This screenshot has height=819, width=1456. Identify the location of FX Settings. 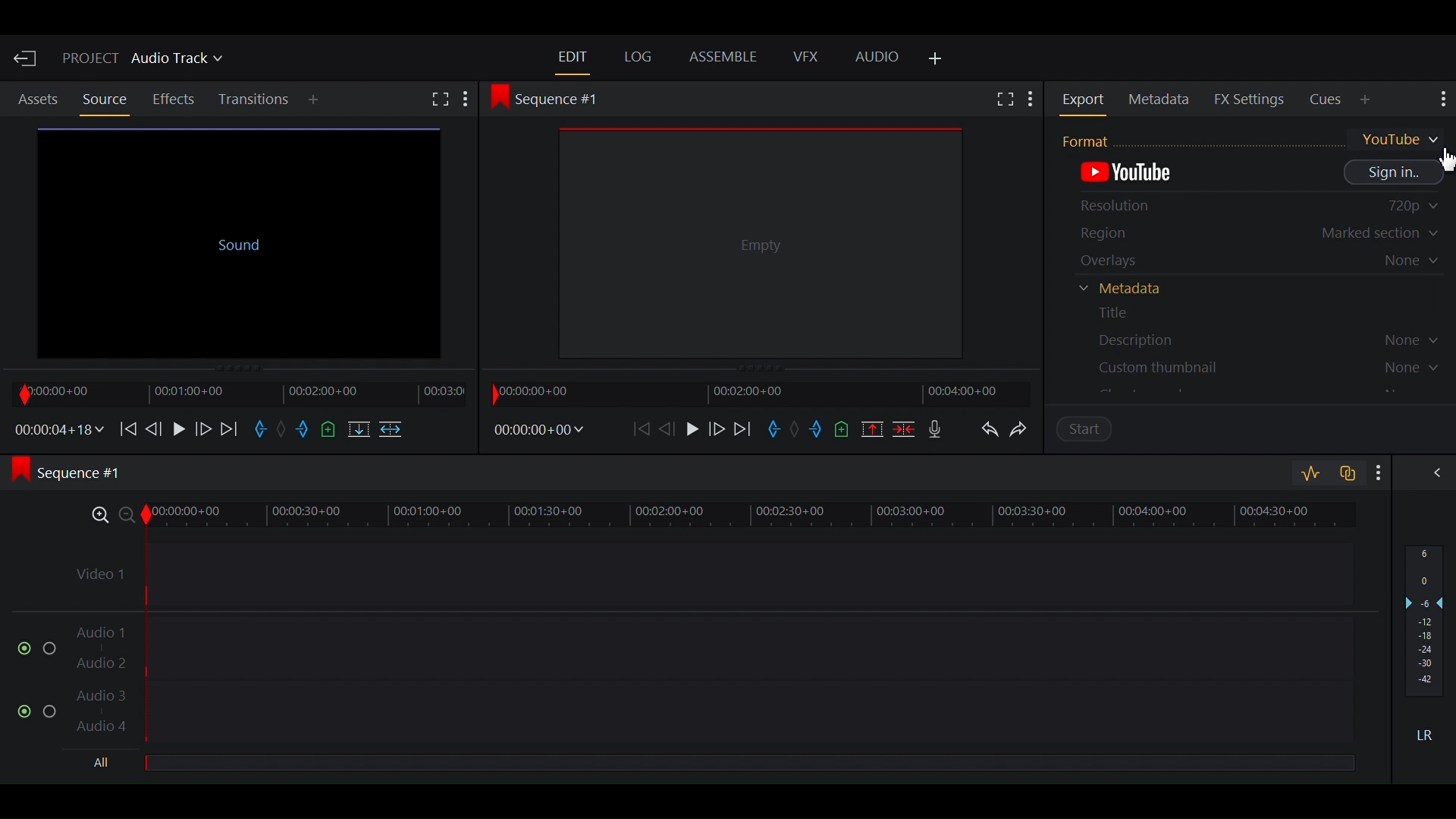
(1250, 99).